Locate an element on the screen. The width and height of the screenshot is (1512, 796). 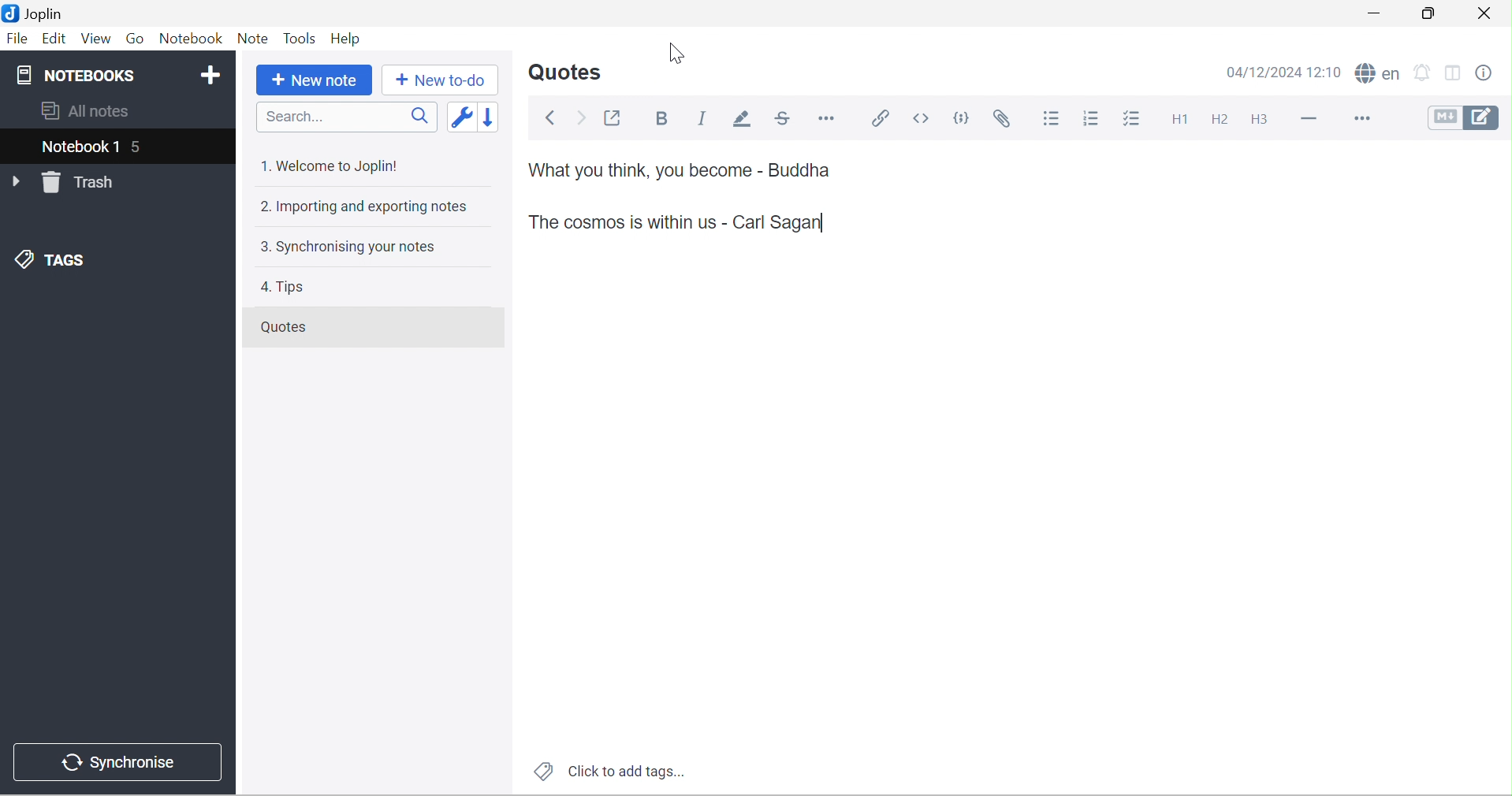
04/12/2024 12:10 is located at coordinates (1284, 72).